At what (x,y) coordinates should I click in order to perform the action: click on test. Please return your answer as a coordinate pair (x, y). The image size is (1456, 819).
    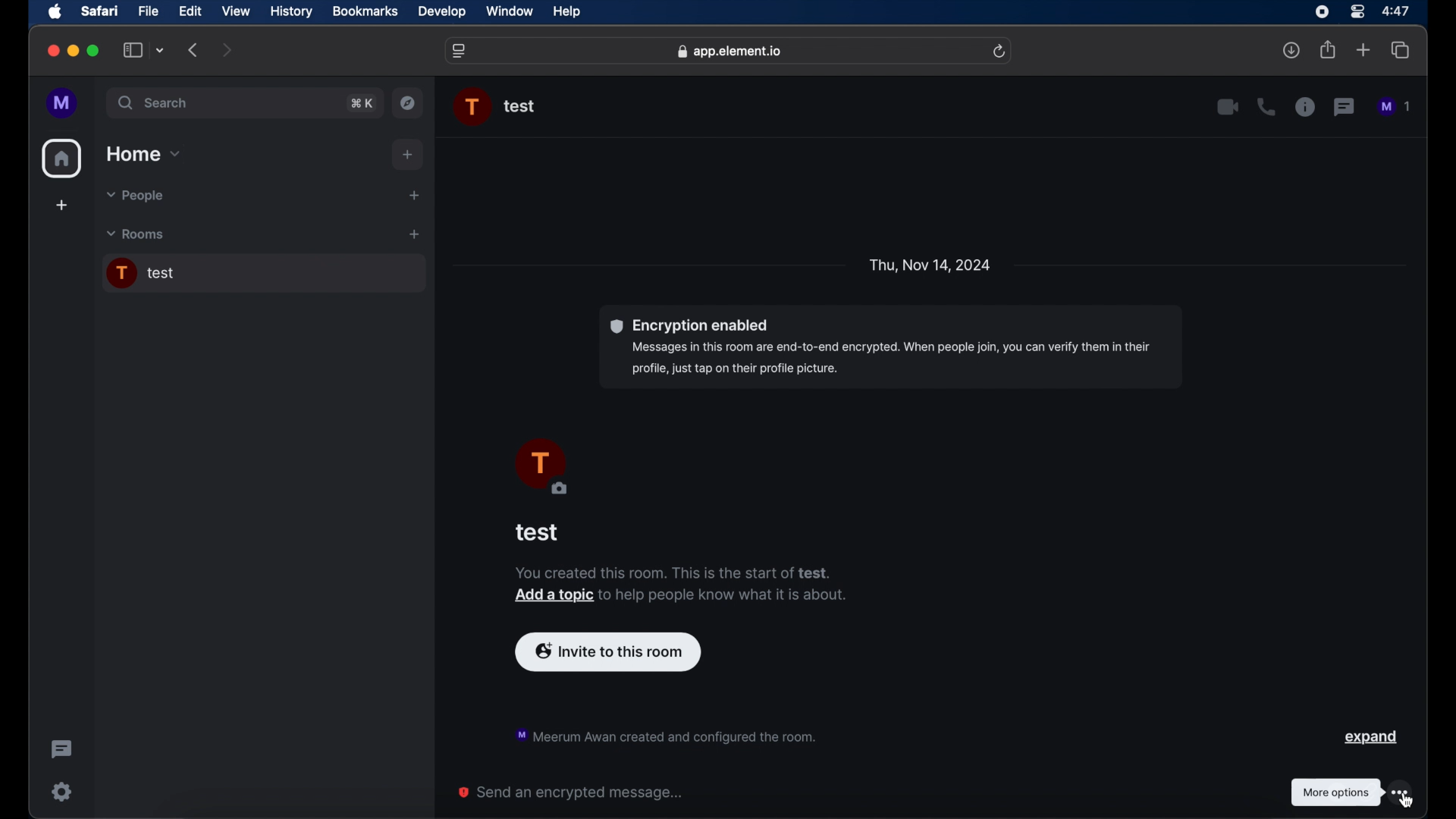
    Looking at the image, I should click on (538, 532).